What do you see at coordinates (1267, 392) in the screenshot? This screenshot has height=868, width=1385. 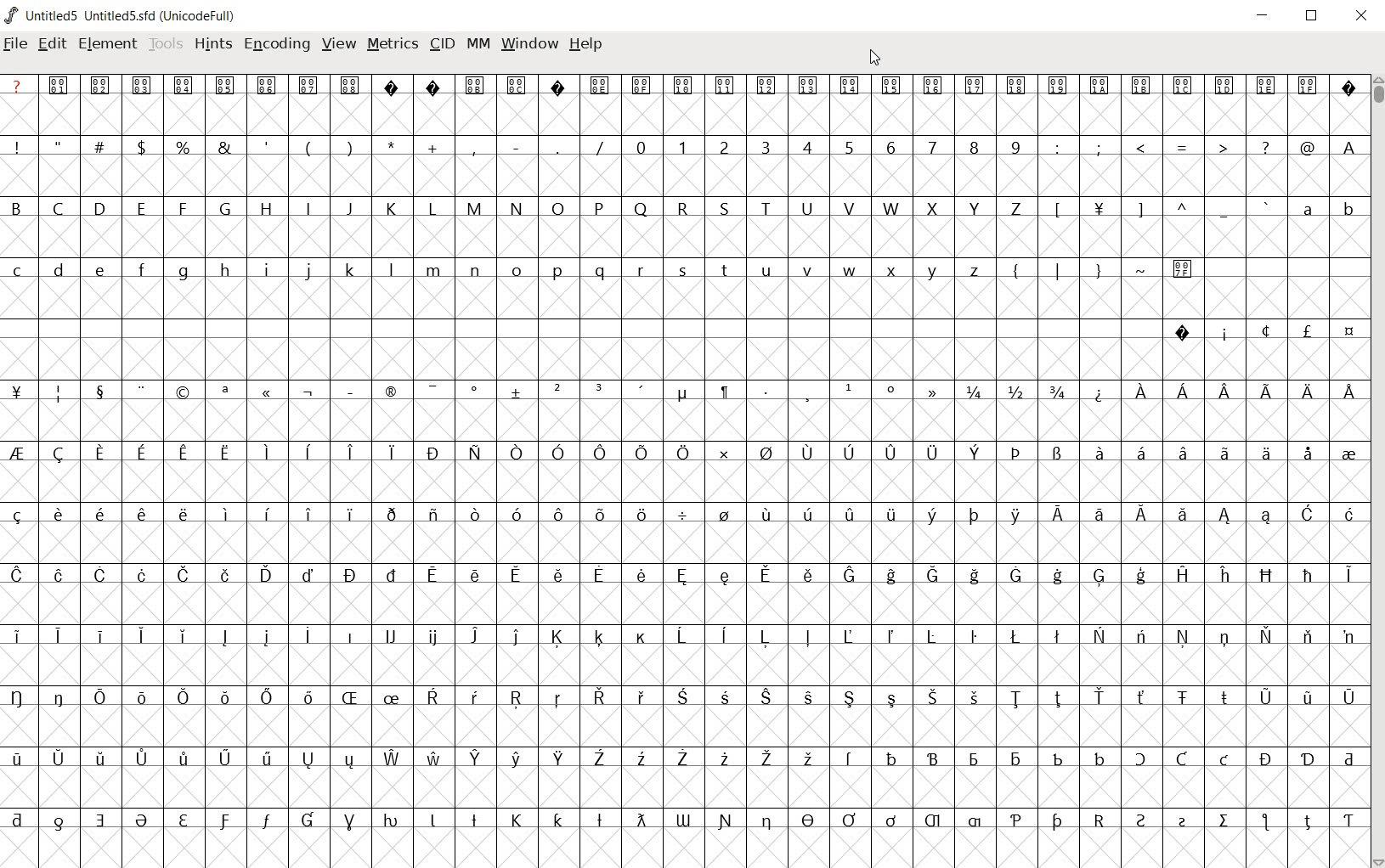 I see `Symbol` at bounding box center [1267, 392].